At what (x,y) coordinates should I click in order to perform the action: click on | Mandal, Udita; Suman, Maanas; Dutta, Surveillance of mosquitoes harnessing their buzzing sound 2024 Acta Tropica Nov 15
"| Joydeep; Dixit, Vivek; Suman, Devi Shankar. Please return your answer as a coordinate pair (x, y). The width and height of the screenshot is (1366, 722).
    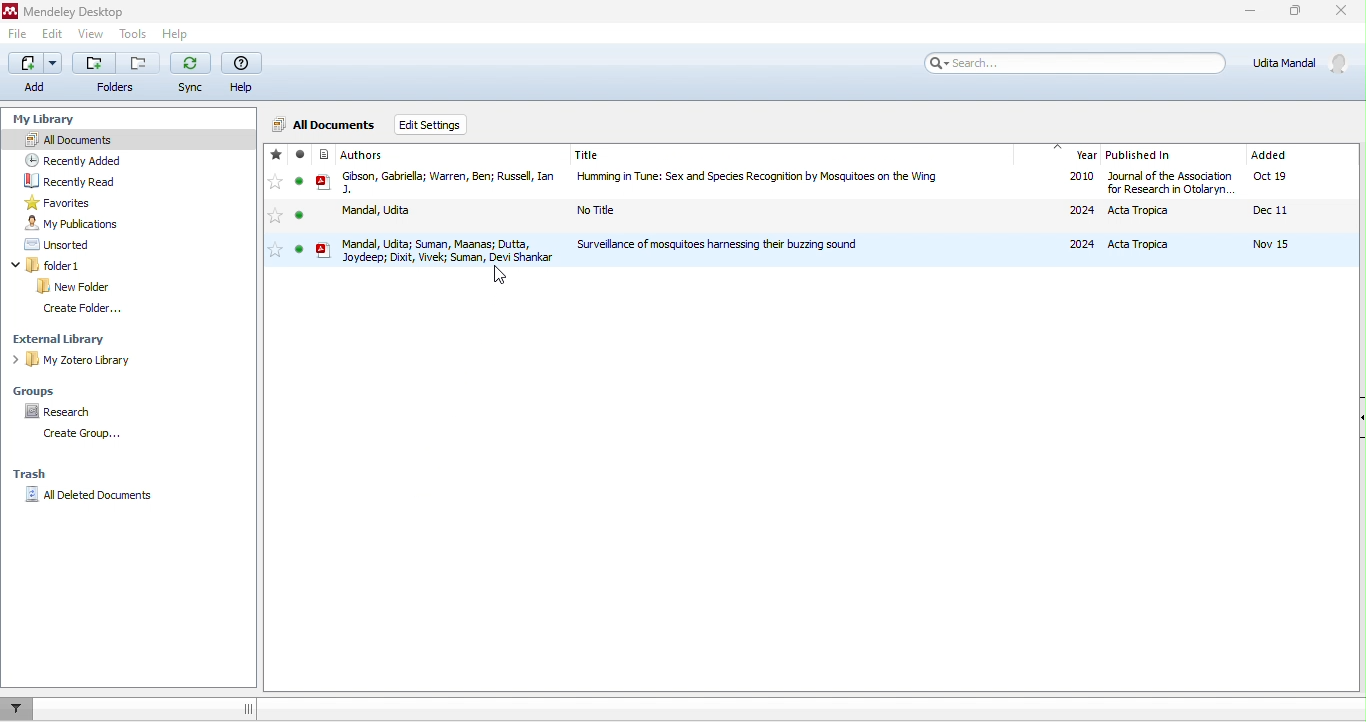
    Looking at the image, I should click on (808, 252).